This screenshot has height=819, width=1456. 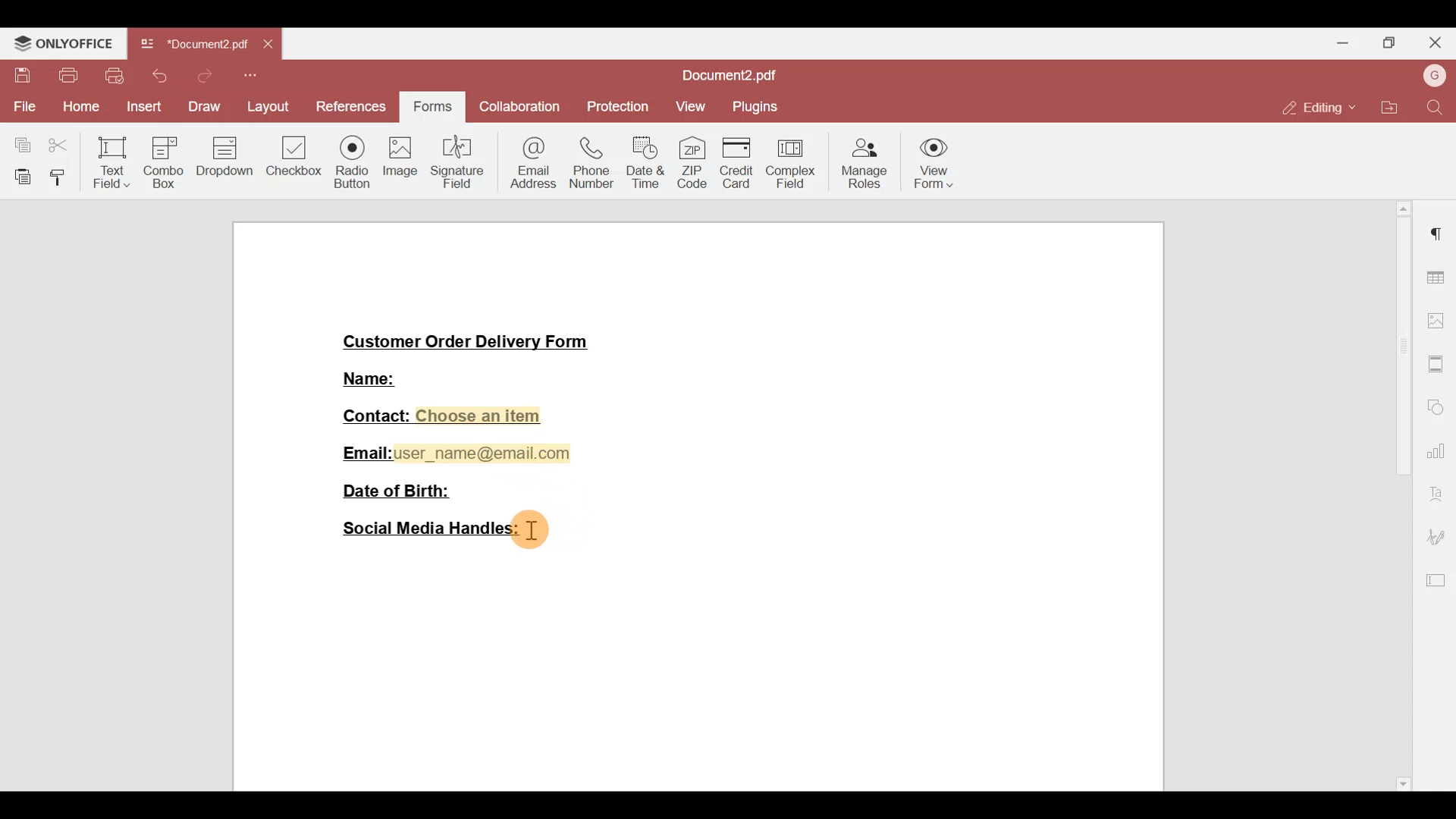 I want to click on Contact: Choose an item, so click(x=441, y=415).